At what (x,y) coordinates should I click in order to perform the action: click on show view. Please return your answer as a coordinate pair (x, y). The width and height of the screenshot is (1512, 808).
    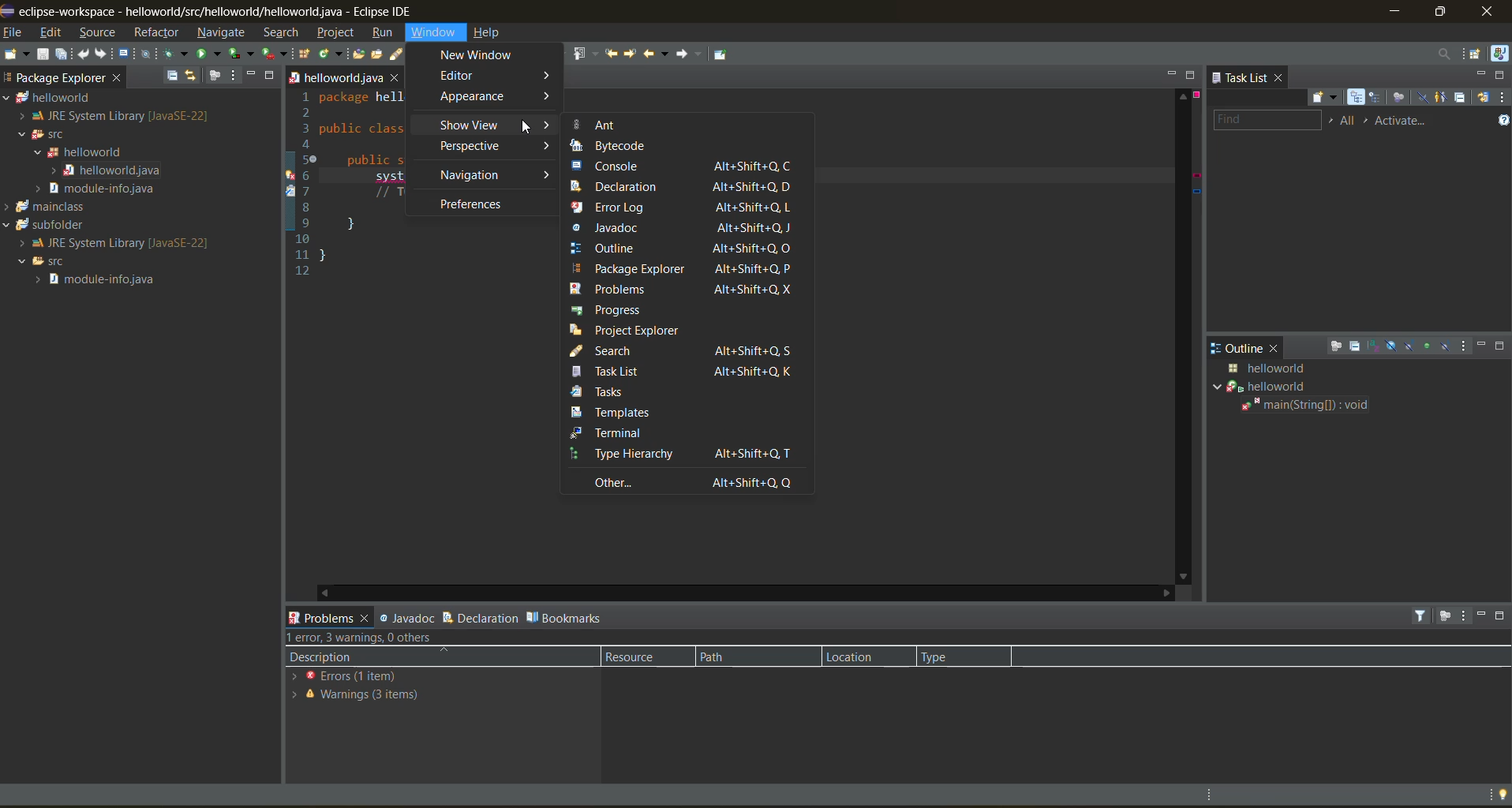
    Looking at the image, I should click on (492, 125).